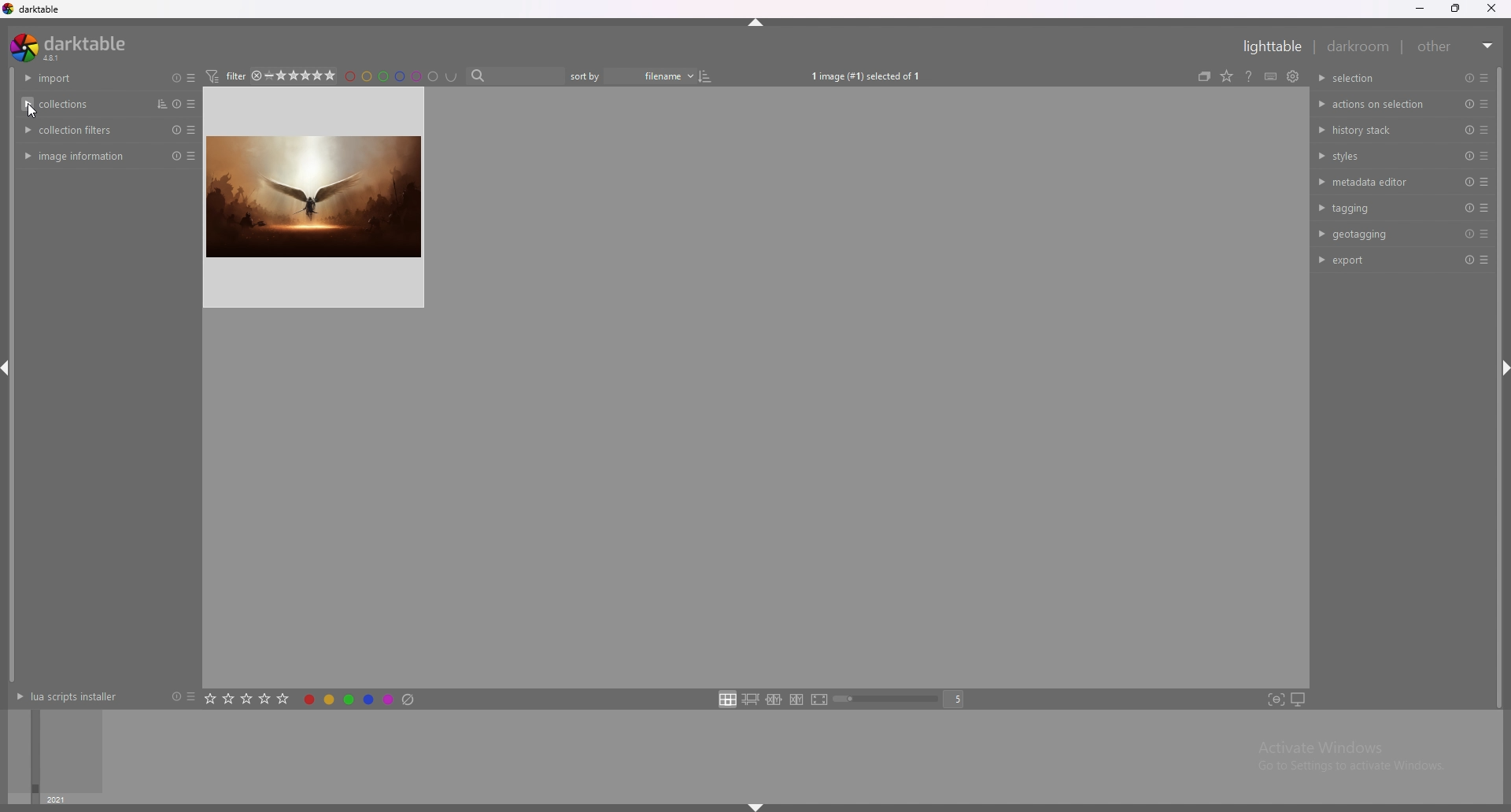 This screenshot has width=1511, height=812. I want to click on history stack, so click(1377, 129).